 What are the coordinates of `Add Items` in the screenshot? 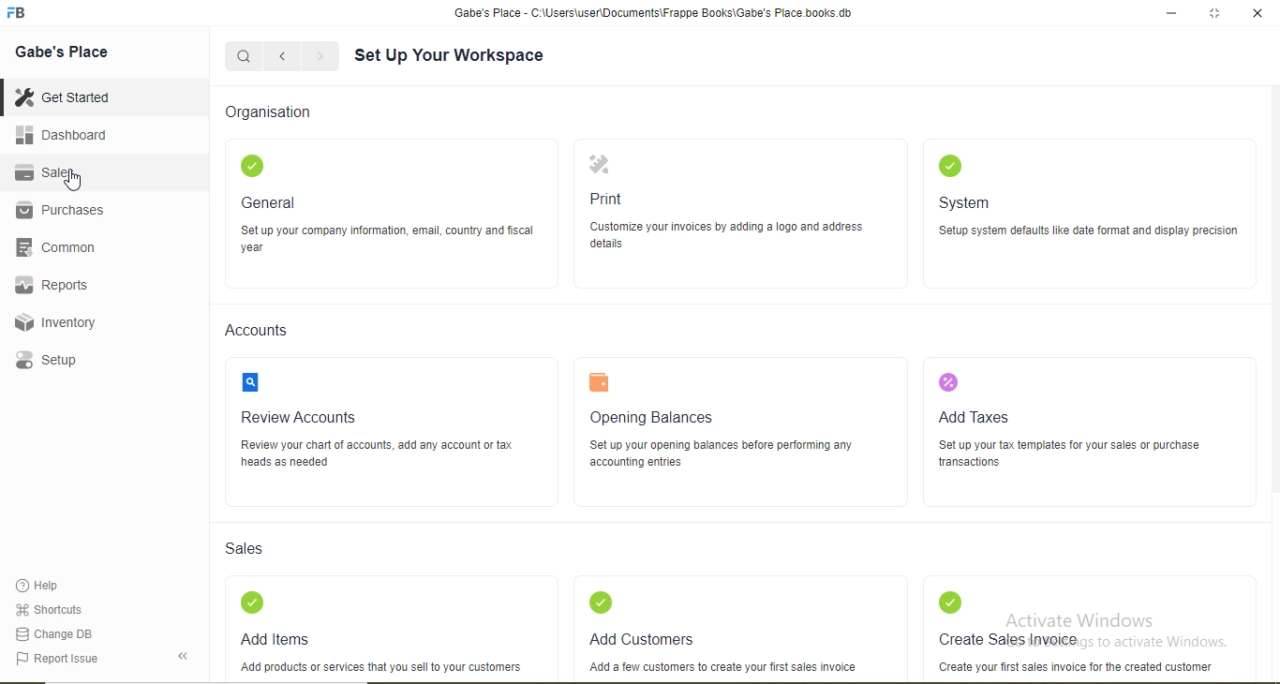 It's located at (280, 636).